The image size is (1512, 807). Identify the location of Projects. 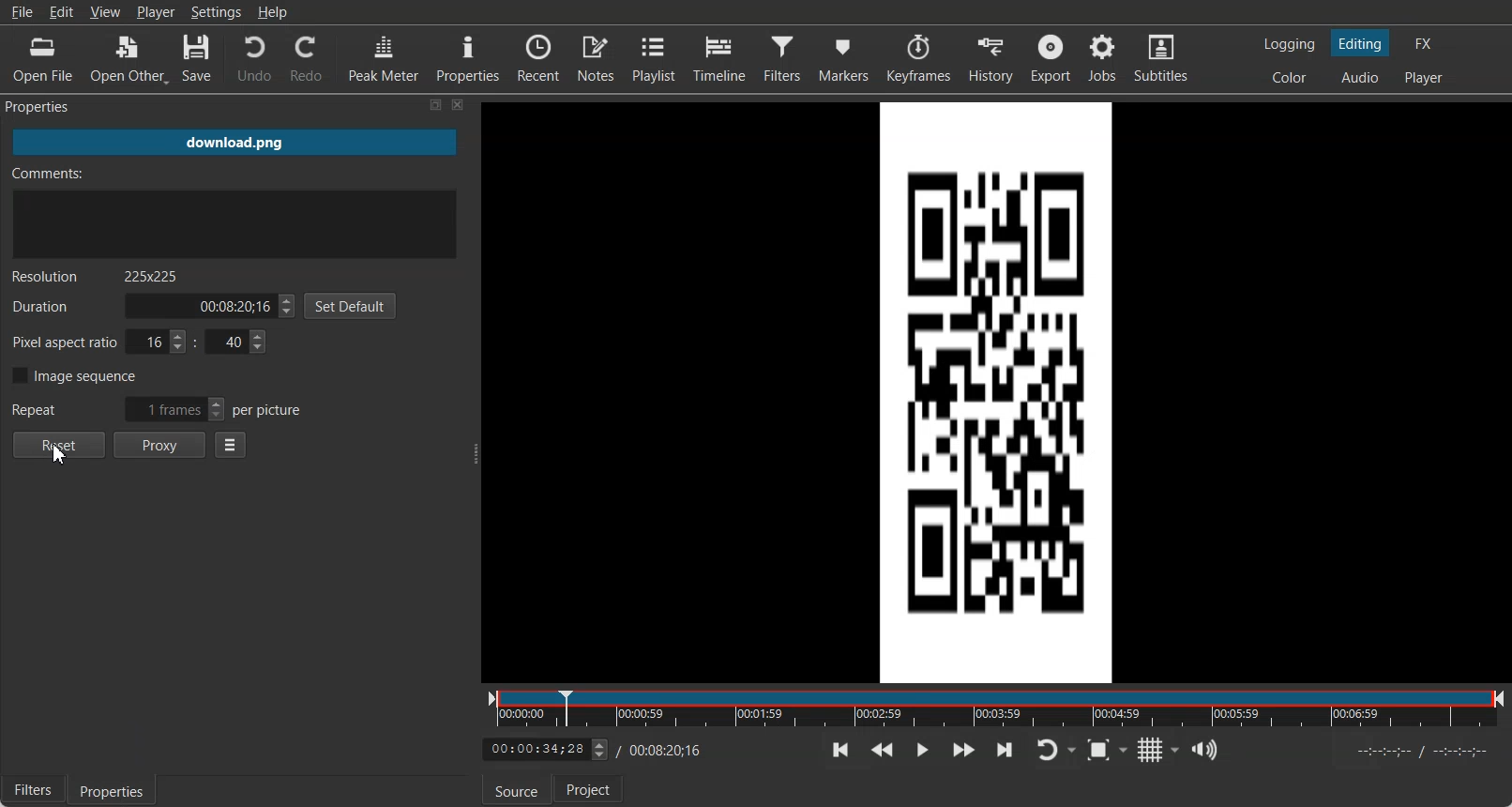
(589, 787).